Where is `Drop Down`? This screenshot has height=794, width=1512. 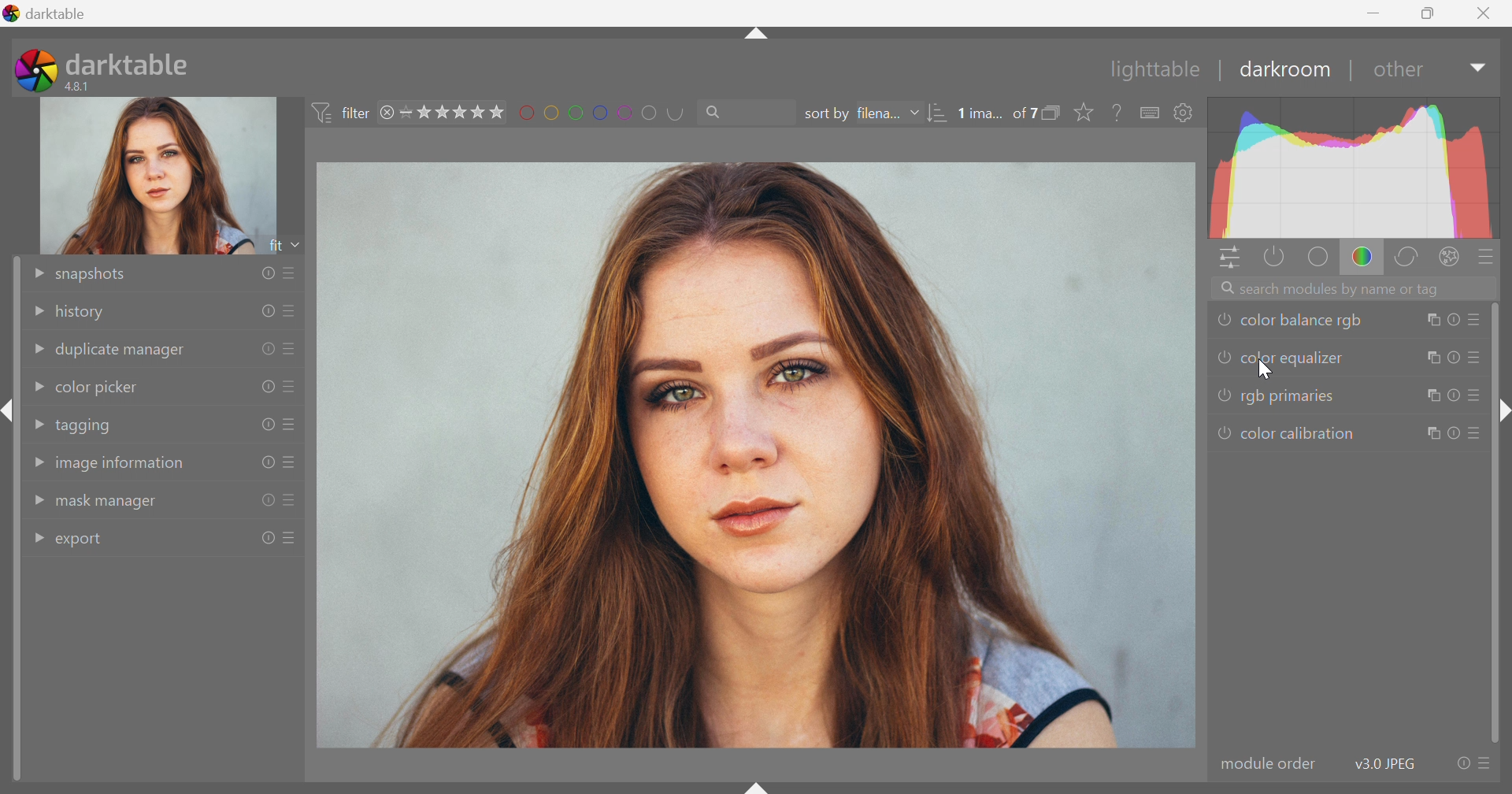
Drop Down is located at coordinates (36, 536).